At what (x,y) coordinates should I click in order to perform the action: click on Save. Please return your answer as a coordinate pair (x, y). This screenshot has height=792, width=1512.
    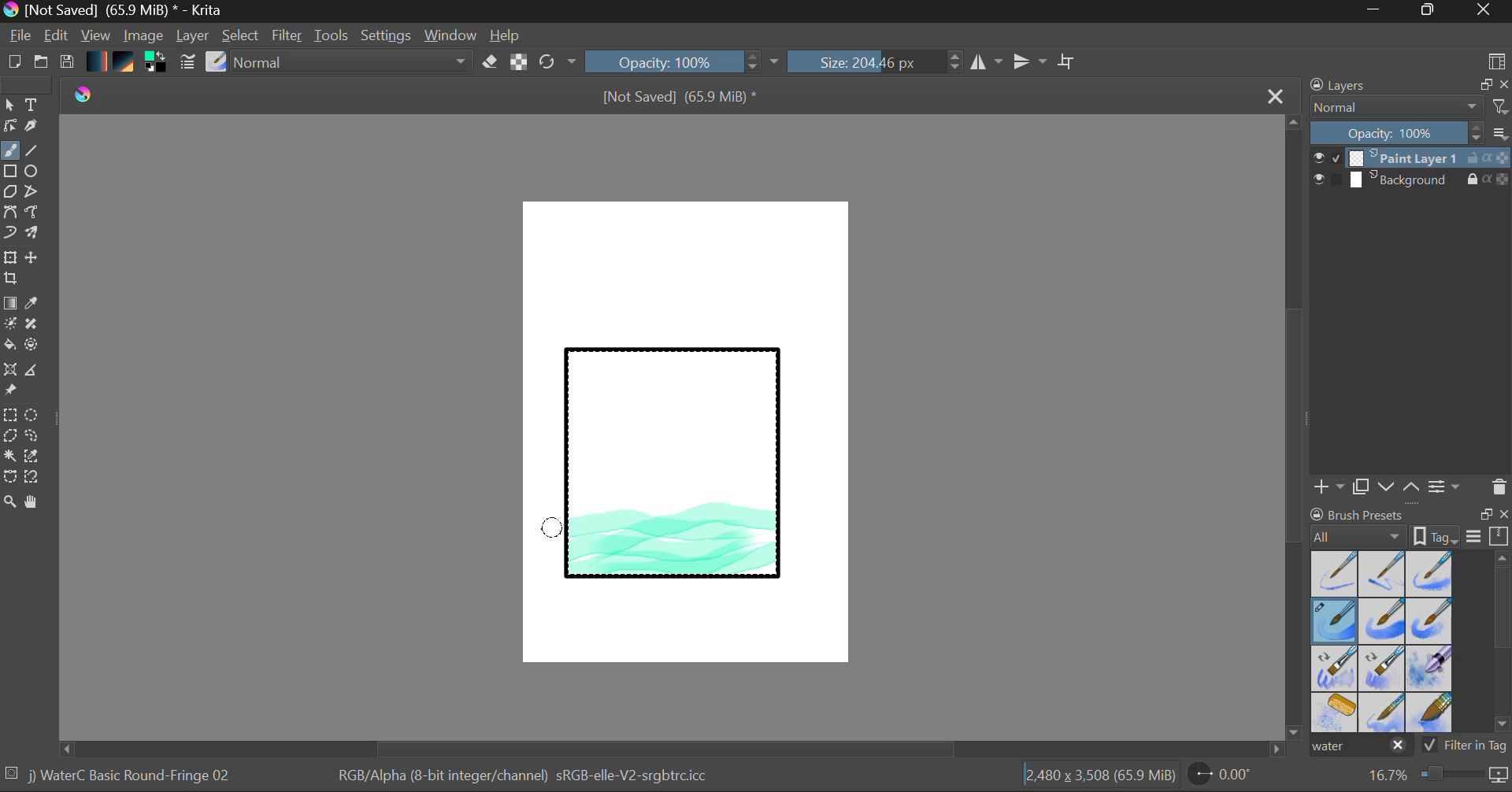
    Looking at the image, I should click on (66, 63).